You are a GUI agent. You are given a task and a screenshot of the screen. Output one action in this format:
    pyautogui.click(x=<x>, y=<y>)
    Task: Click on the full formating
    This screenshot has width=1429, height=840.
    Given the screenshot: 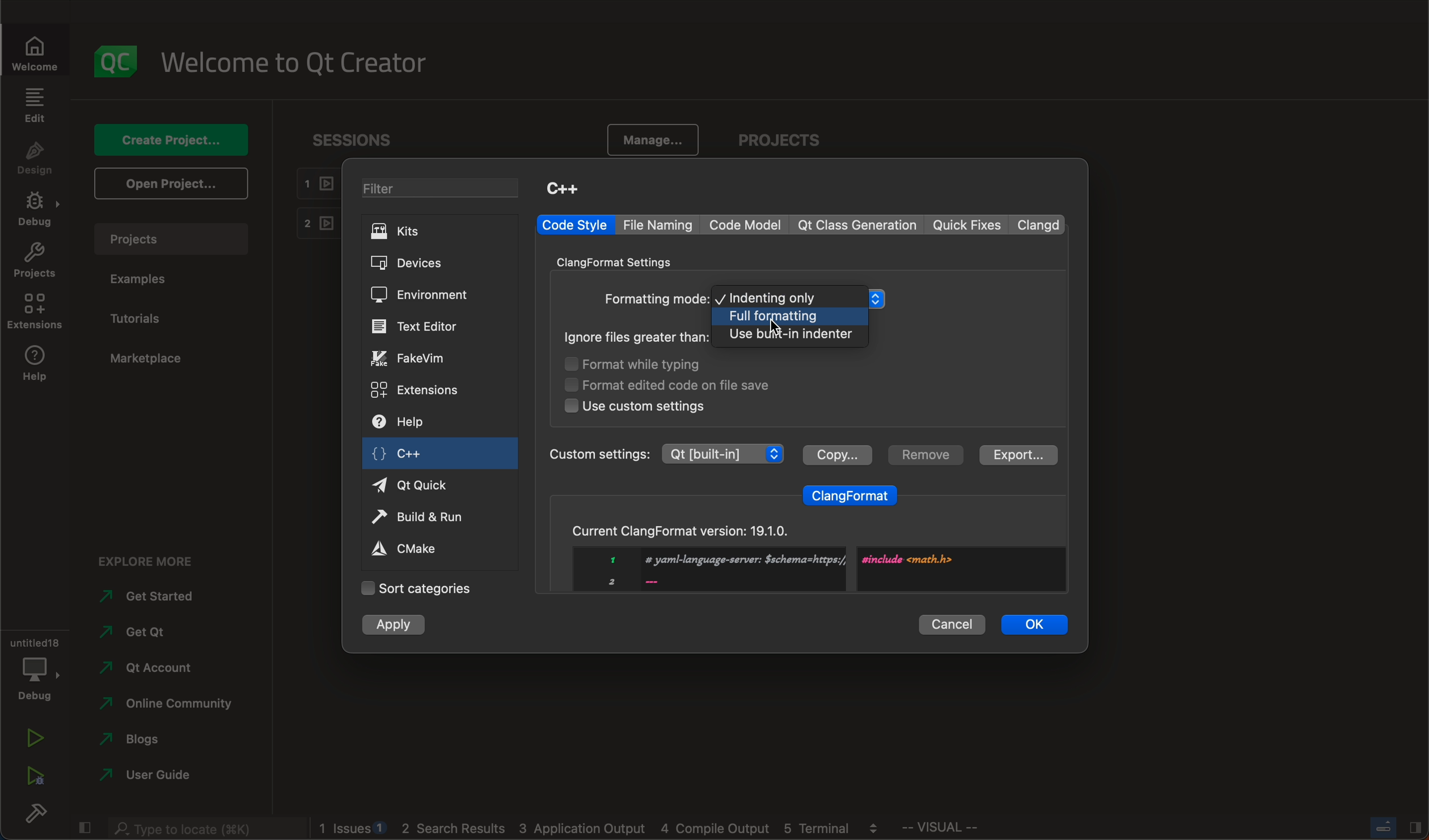 What is the action you would take?
    pyautogui.click(x=790, y=317)
    